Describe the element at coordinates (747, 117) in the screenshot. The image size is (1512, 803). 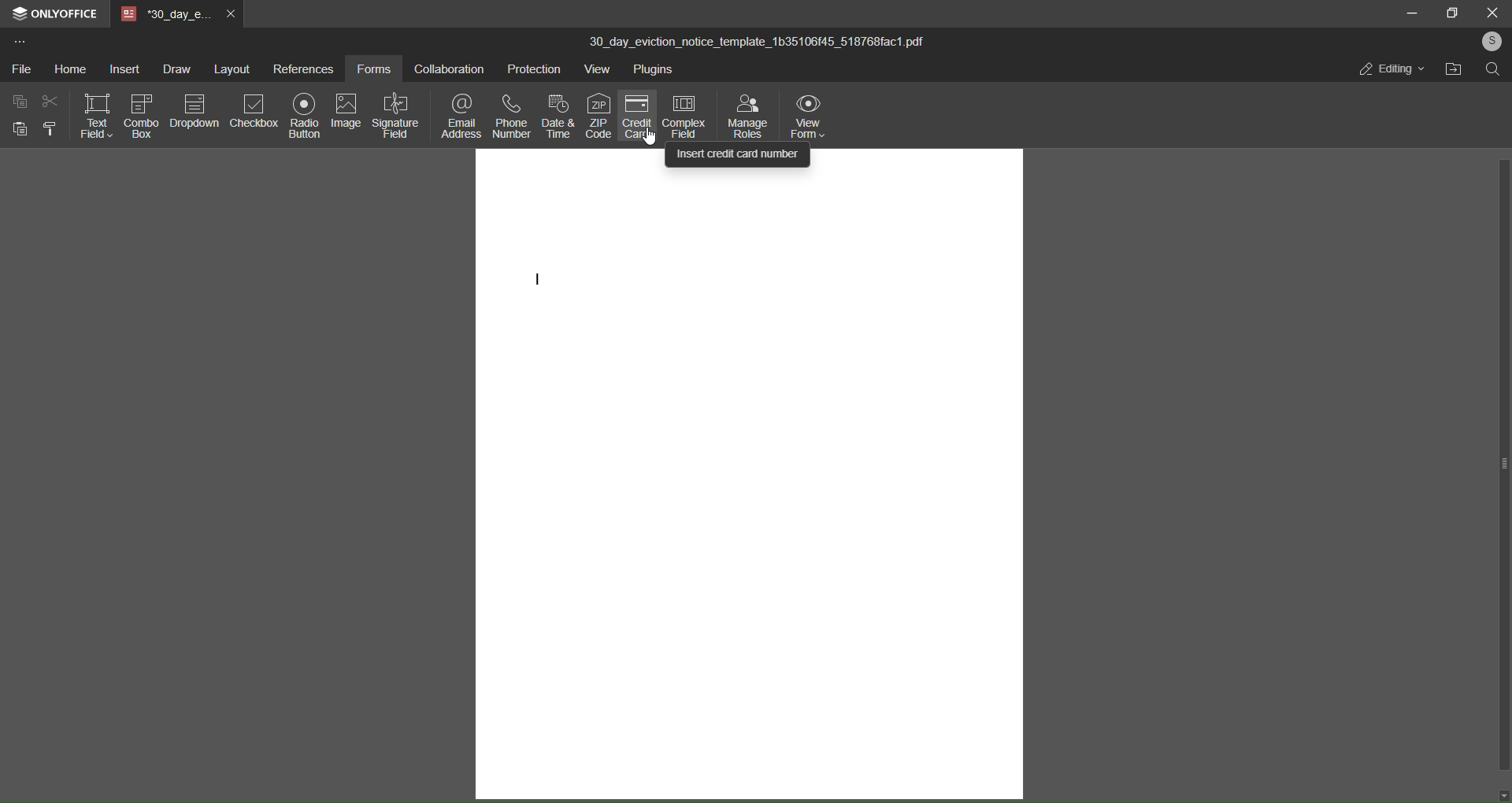
I see `manage roles` at that location.